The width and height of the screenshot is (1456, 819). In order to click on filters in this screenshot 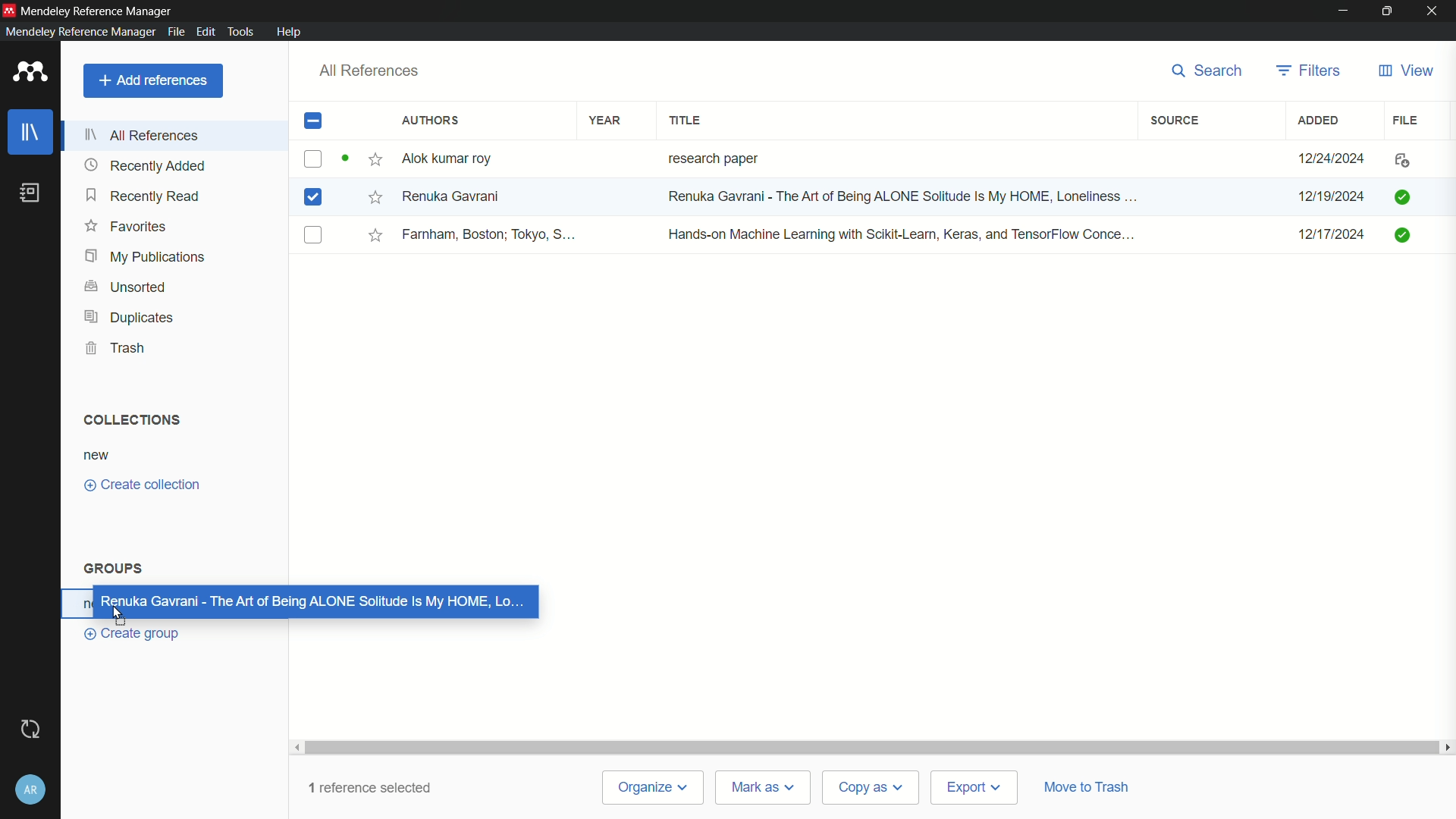, I will do `click(1309, 70)`.